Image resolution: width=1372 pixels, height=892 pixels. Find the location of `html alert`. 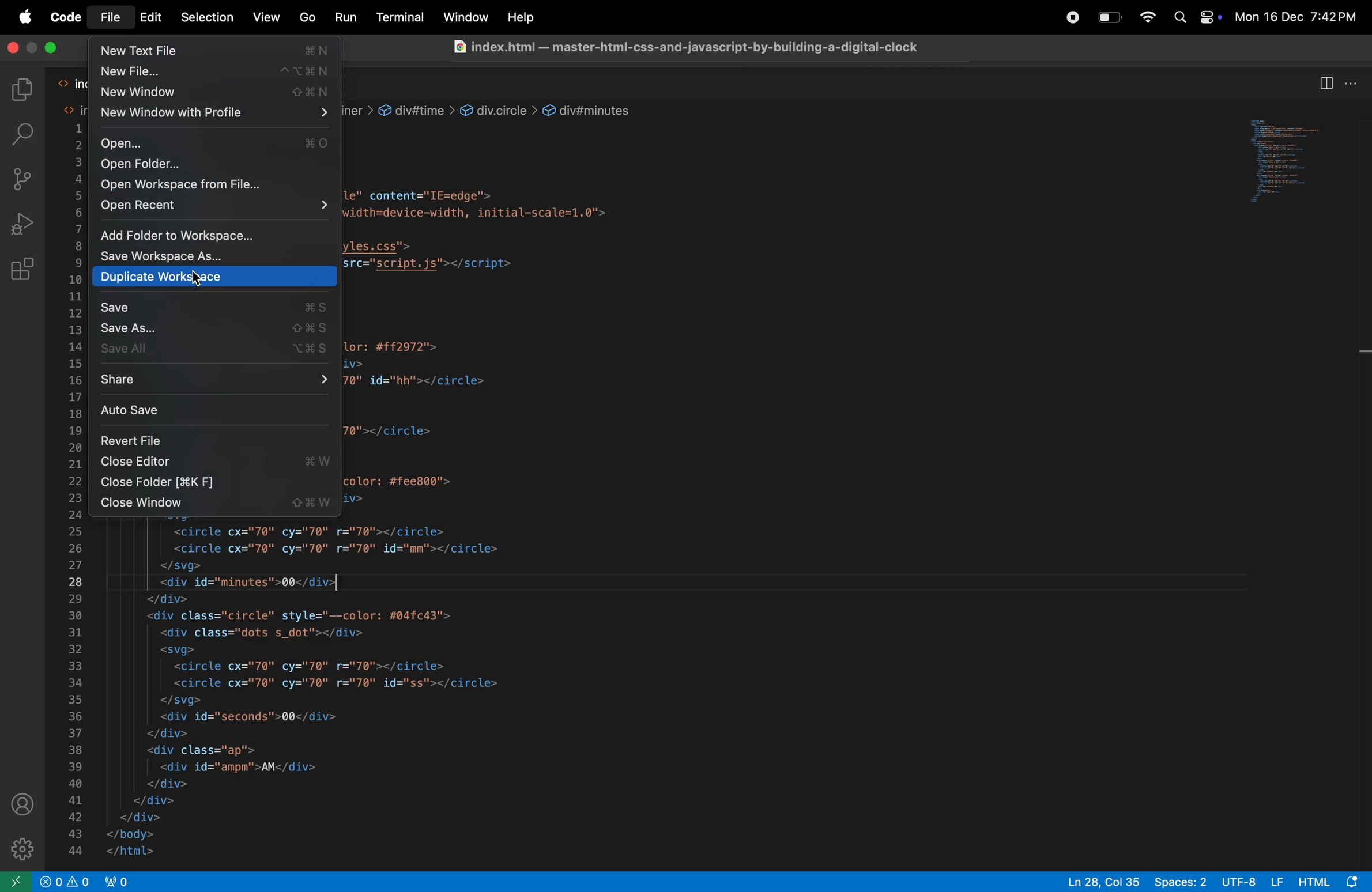

html alert is located at coordinates (1330, 882).